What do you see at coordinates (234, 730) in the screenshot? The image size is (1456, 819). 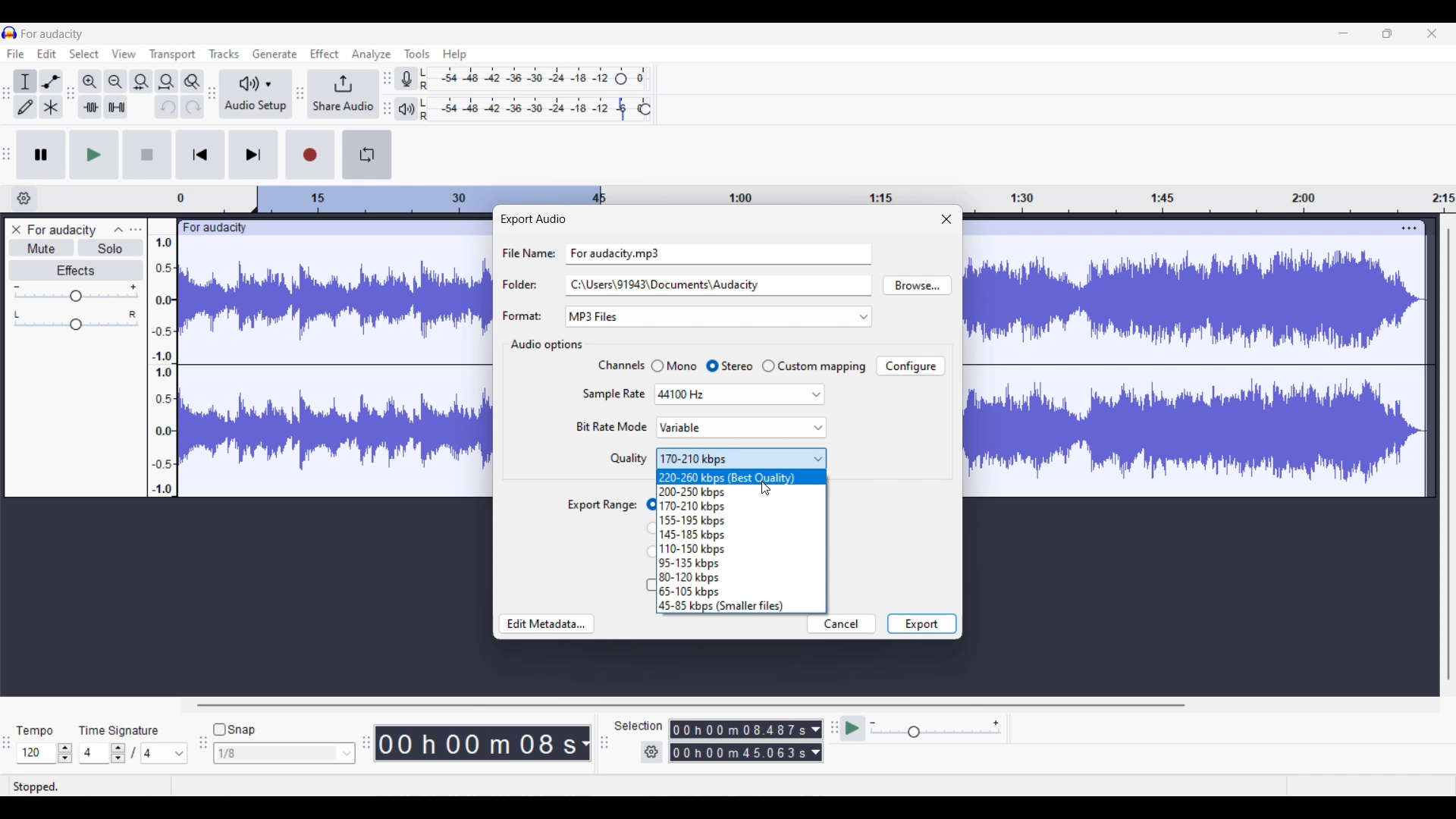 I see `Toggle for snap` at bounding box center [234, 730].